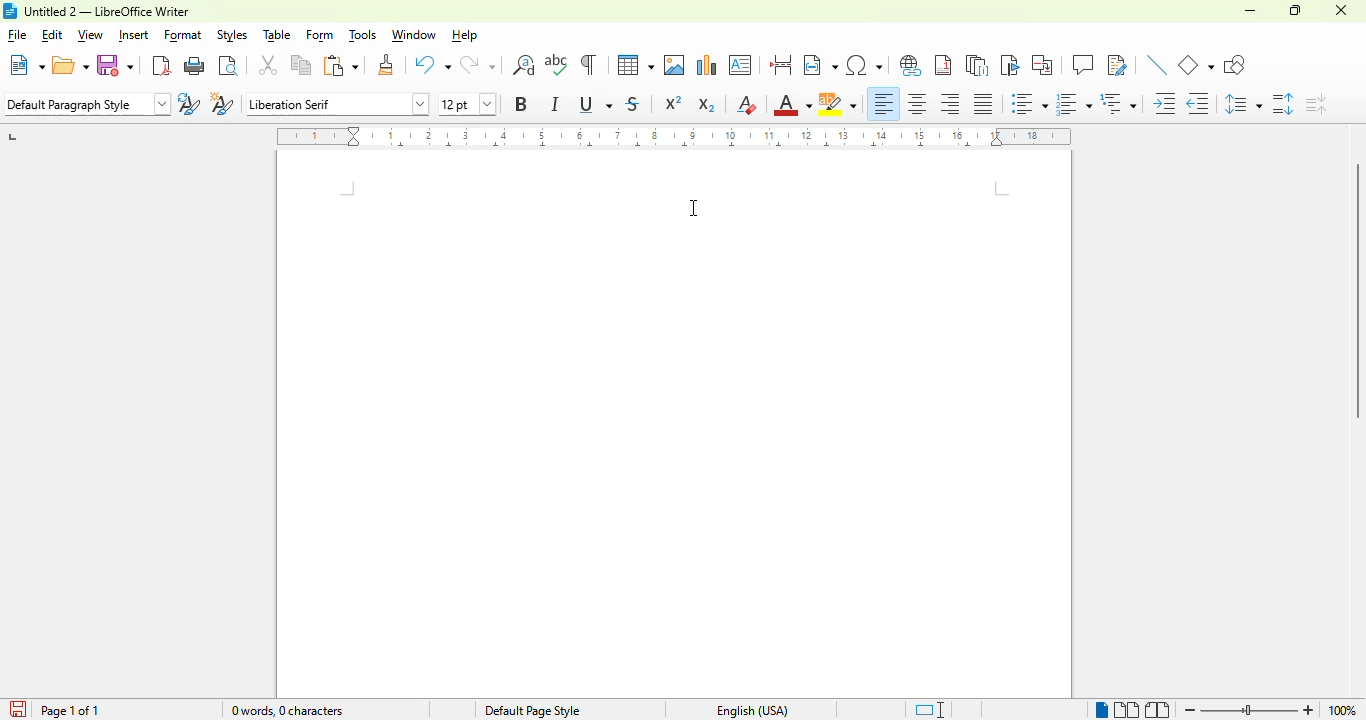 This screenshot has width=1366, height=720. Describe the element at coordinates (820, 65) in the screenshot. I see `insert field` at that location.